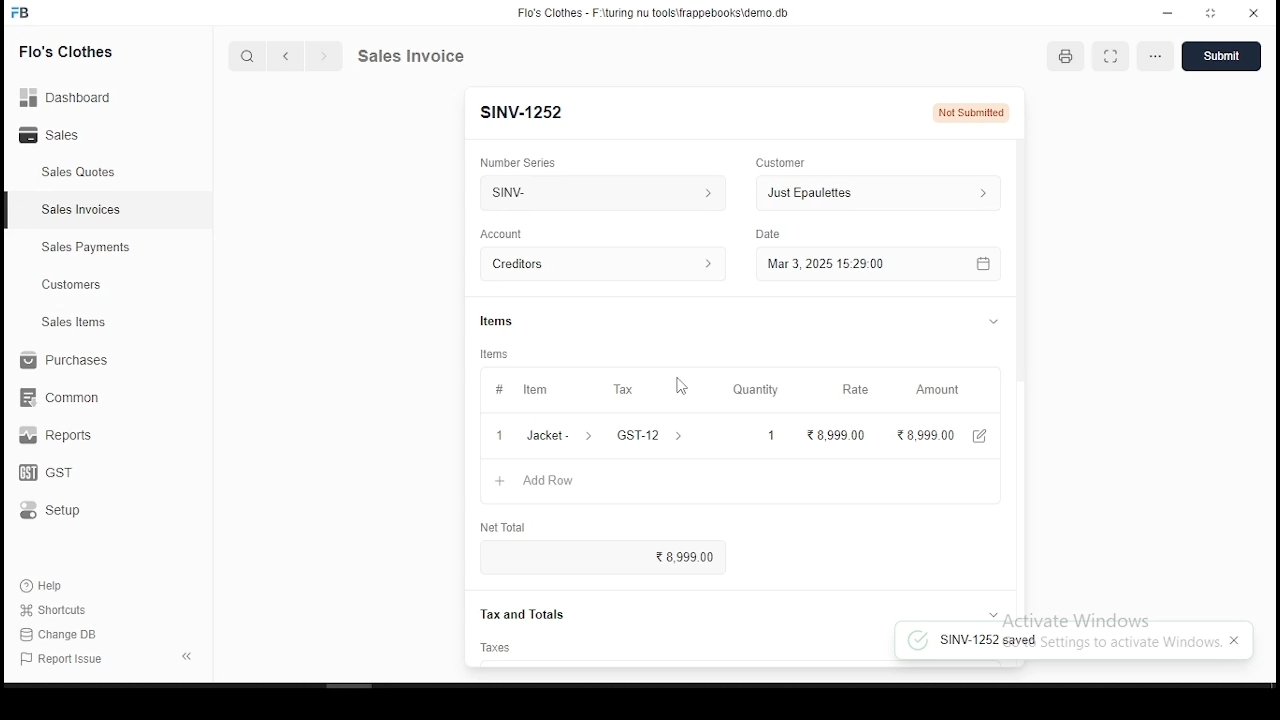 This screenshot has width=1280, height=720. Describe the element at coordinates (495, 232) in the screenshot. I see `date` at that location.